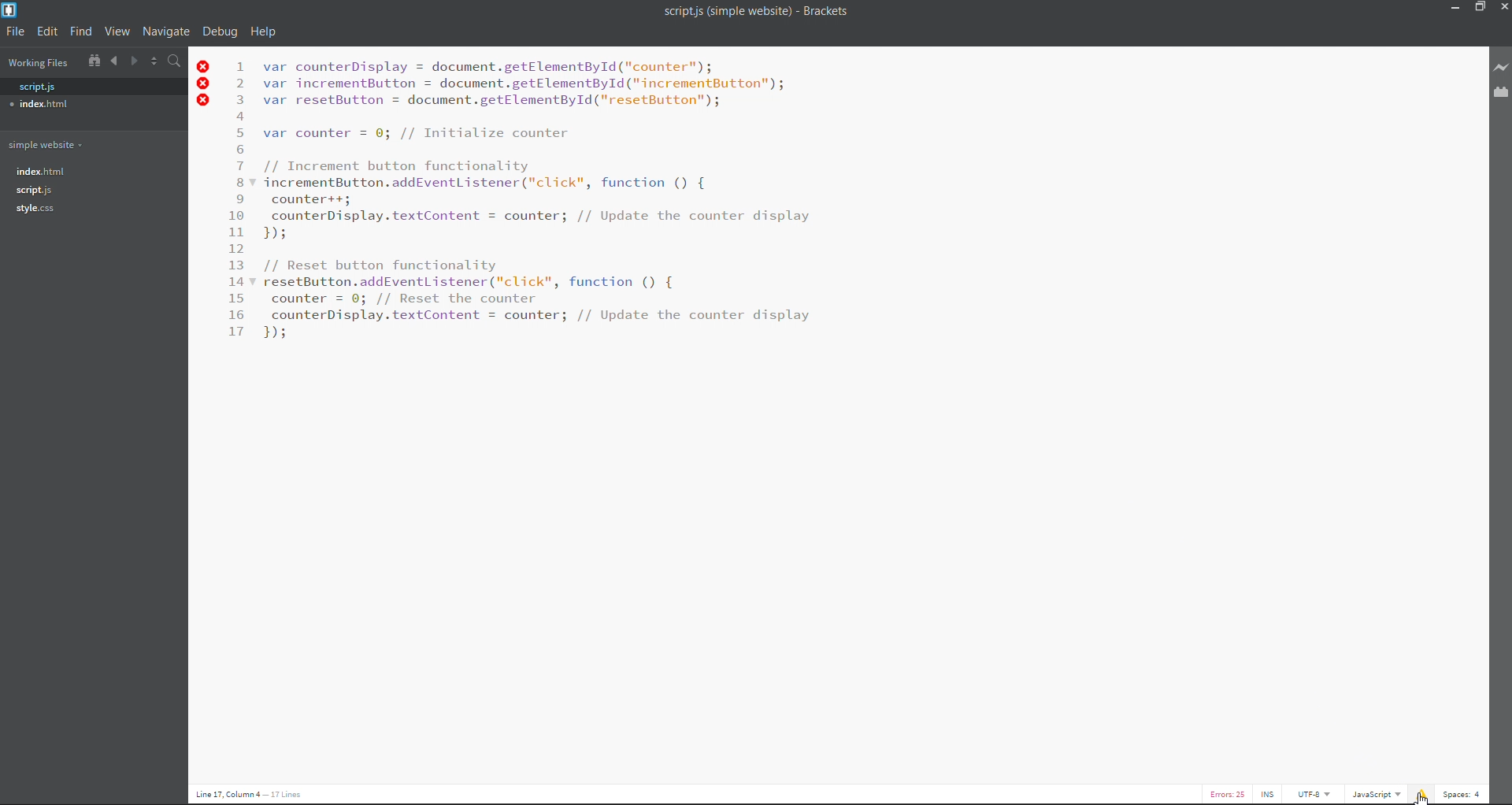 This screenshot has width=1512, height=805. What do you see at coordinates (1267, 795) in the screenshot?
I see `cursor toggle` at bounding box center [1267, 795].